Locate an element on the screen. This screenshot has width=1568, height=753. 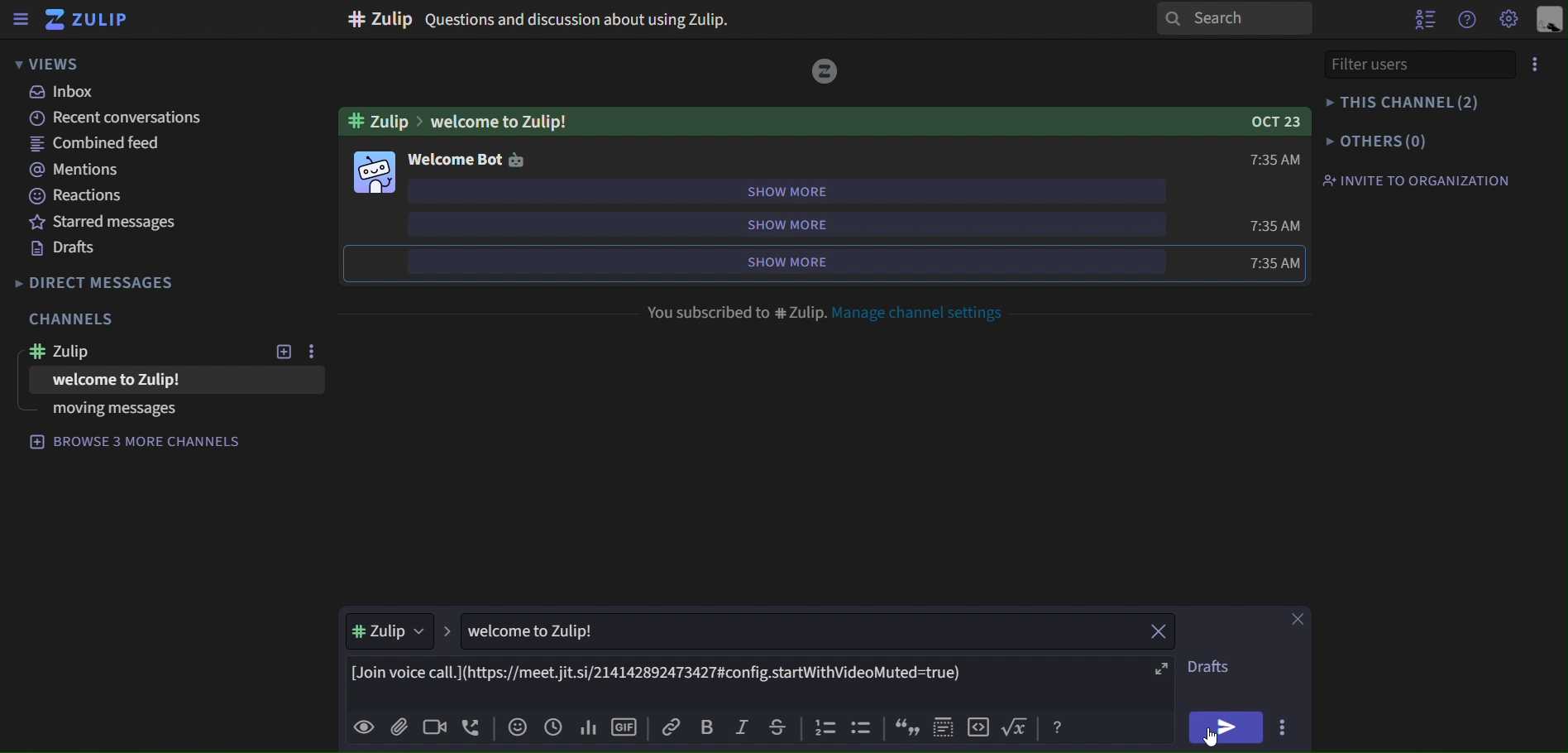
send is located at coordinates (1225, 727).